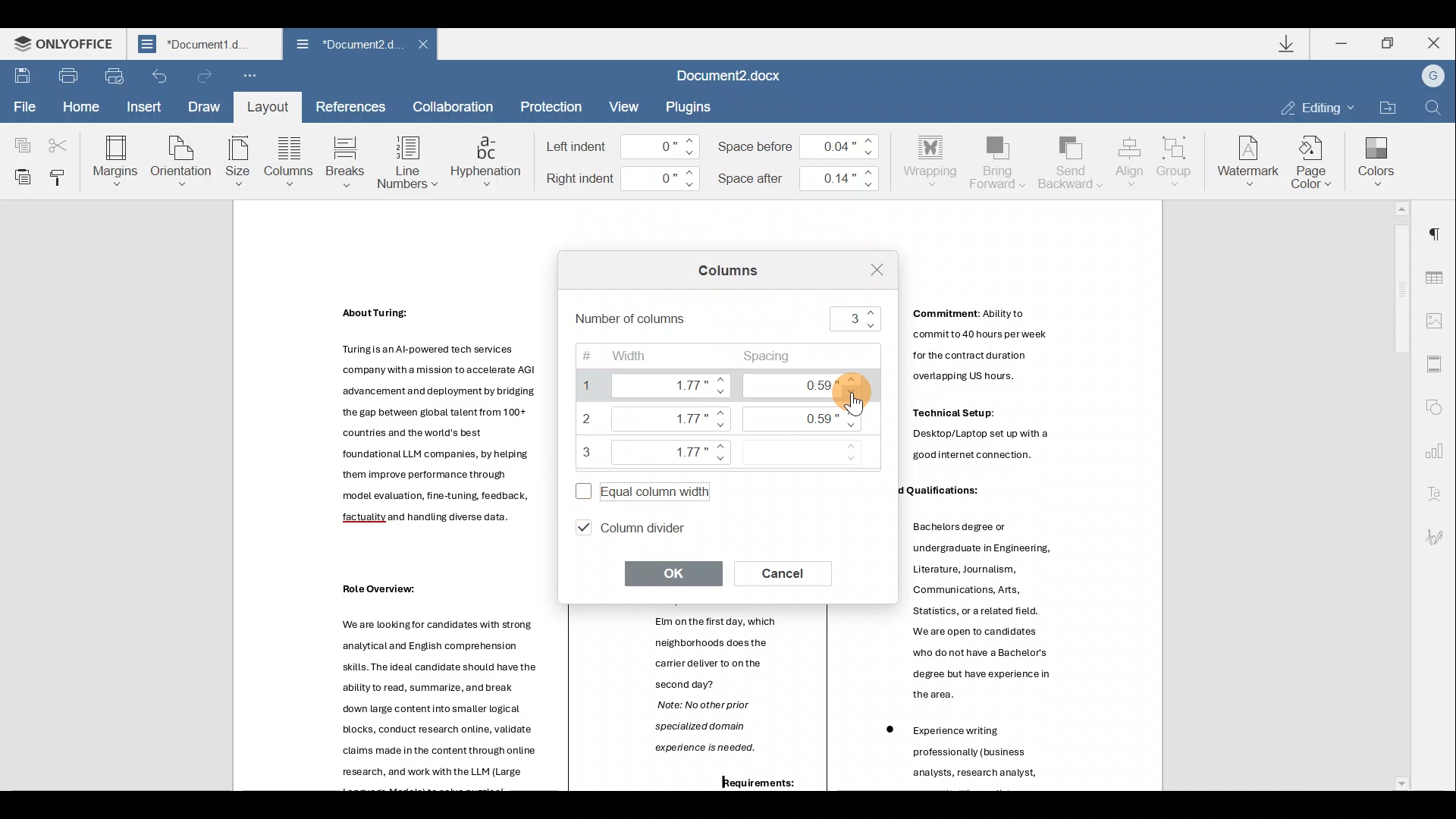 The width and height of the screenshot is (1456, 819). Describe the element at coordinates (1344, 42) in the screenshot. I see `Minimize` at that location.